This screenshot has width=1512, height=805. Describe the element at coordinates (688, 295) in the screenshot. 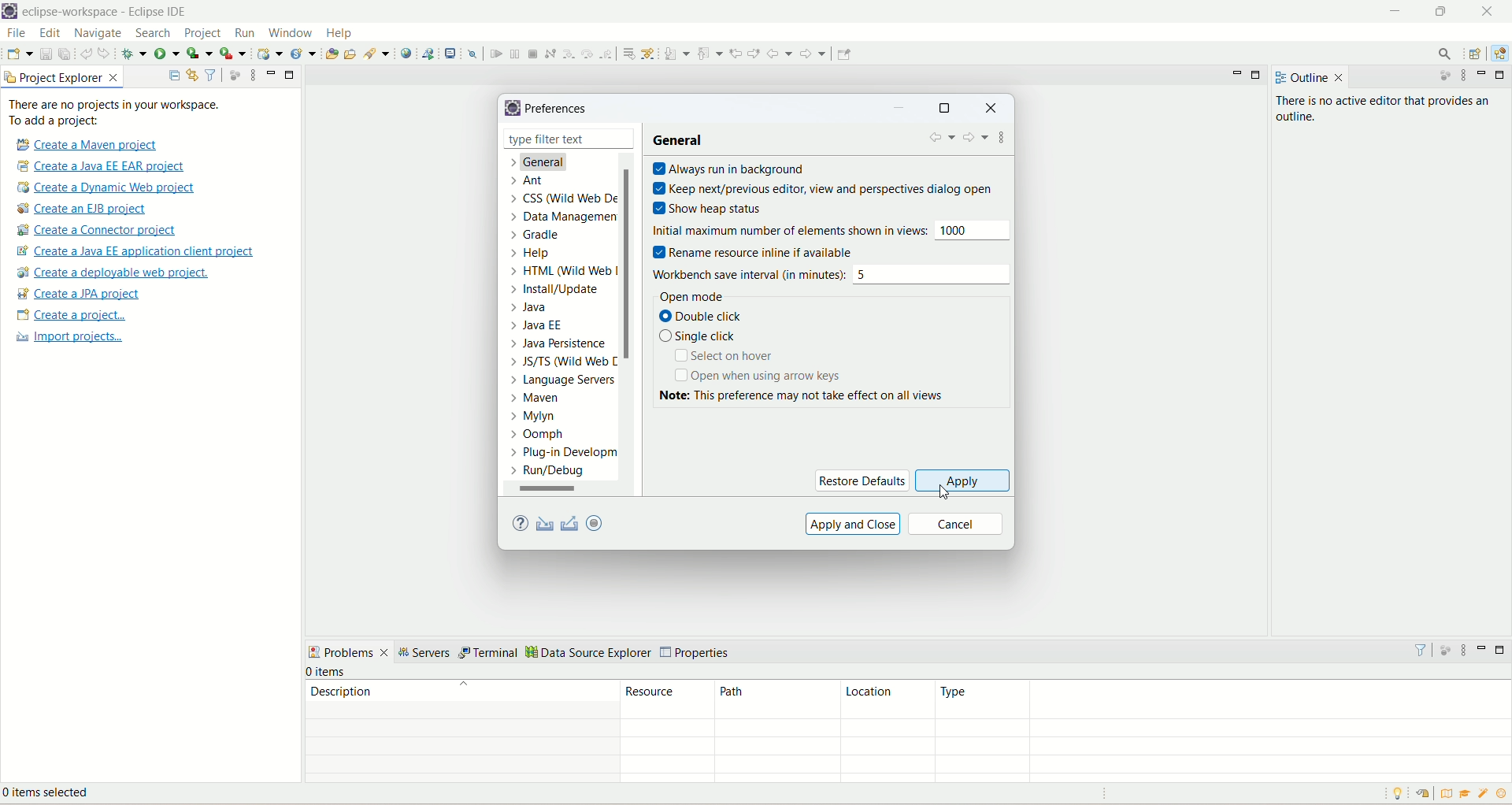

I see `open mode` at that location.